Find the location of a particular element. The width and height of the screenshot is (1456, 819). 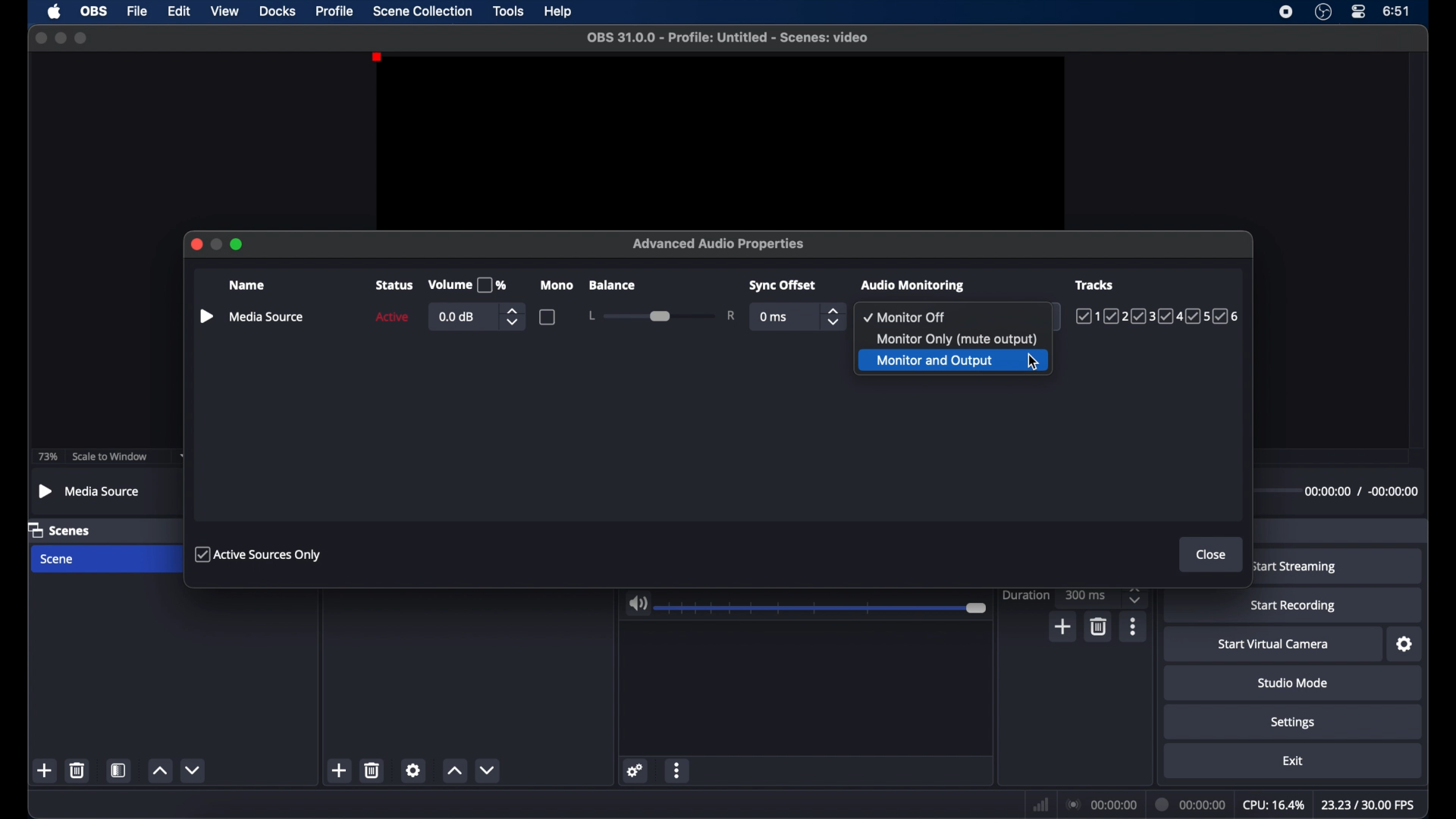

delete is located at coordinates (373, 770).